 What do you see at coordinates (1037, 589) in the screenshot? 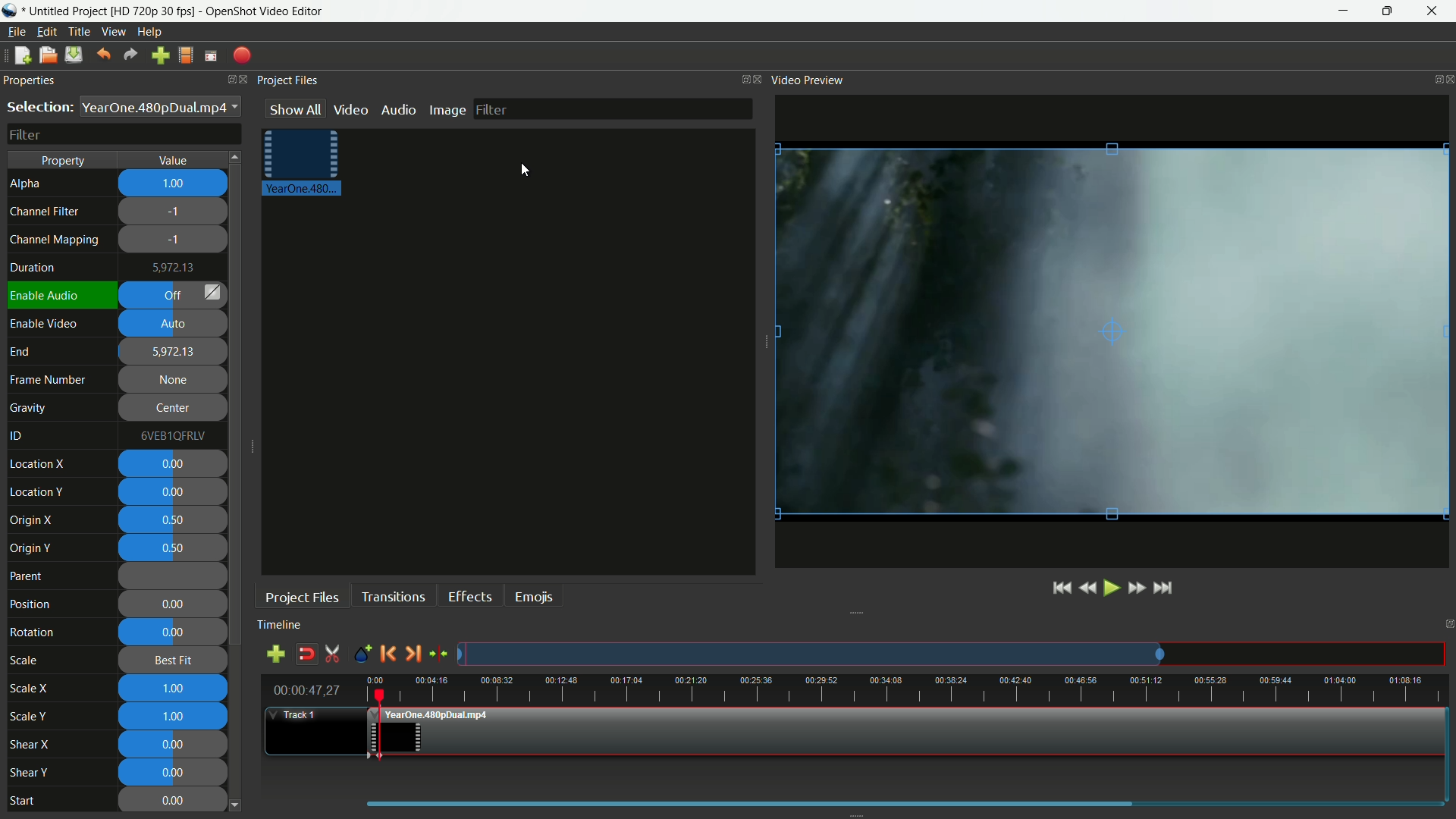
I see `play or pause` at bounding box center [1037, 589].